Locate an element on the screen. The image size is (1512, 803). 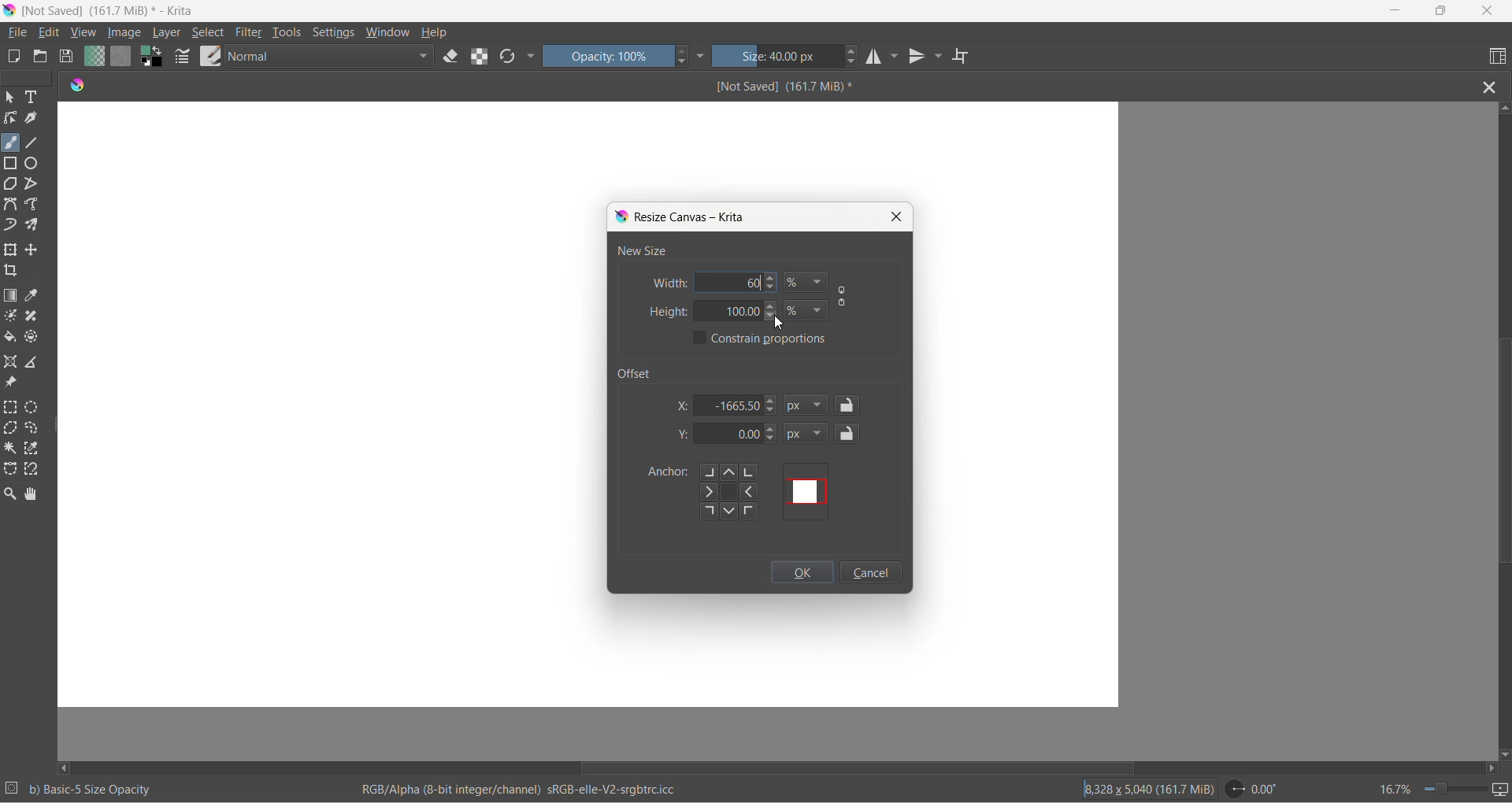
measure the distance between two points is located at coordinates (36, 363).